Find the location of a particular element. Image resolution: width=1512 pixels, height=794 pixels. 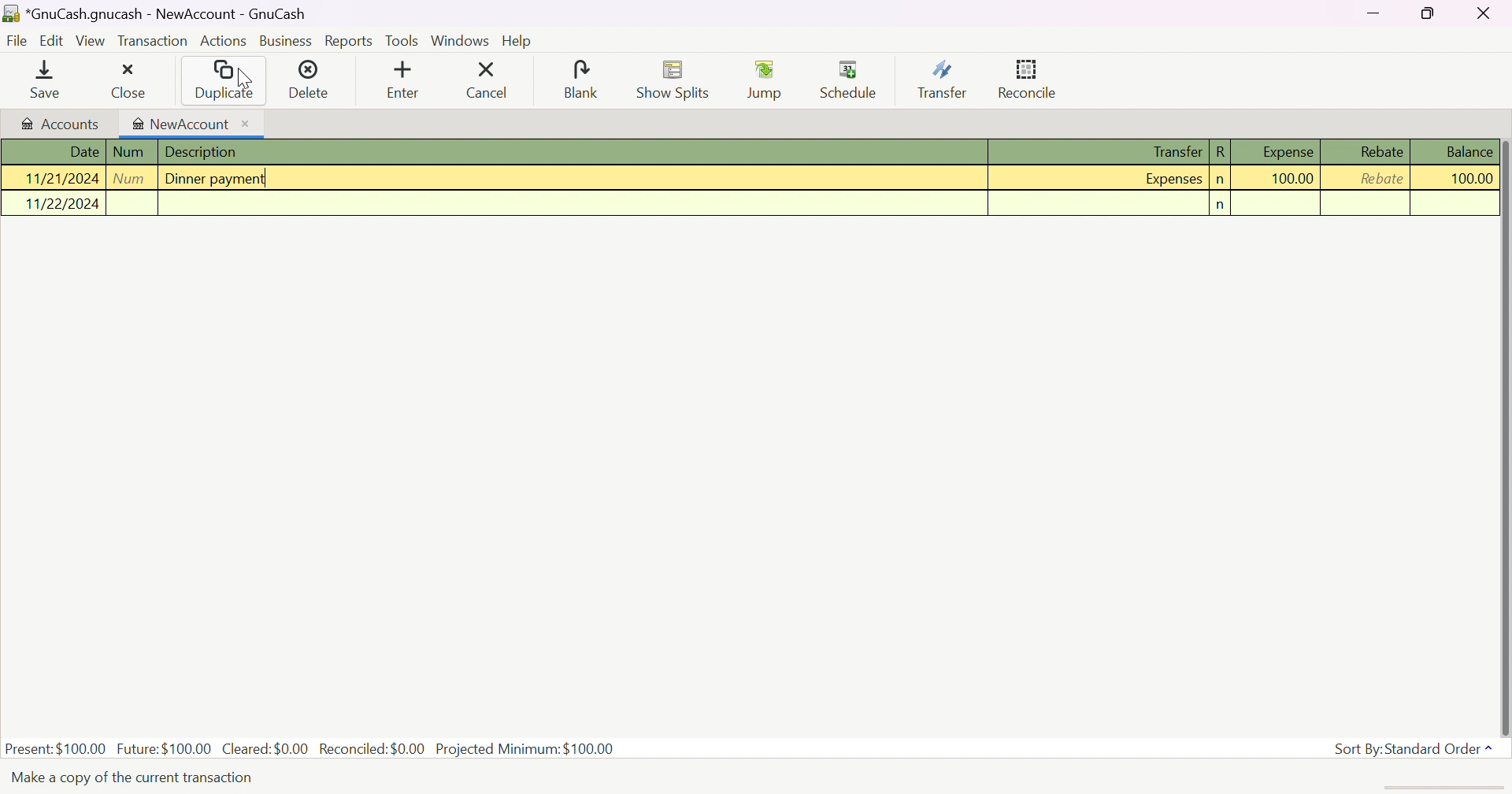

Transfer is located at coordinates (1166, 151).